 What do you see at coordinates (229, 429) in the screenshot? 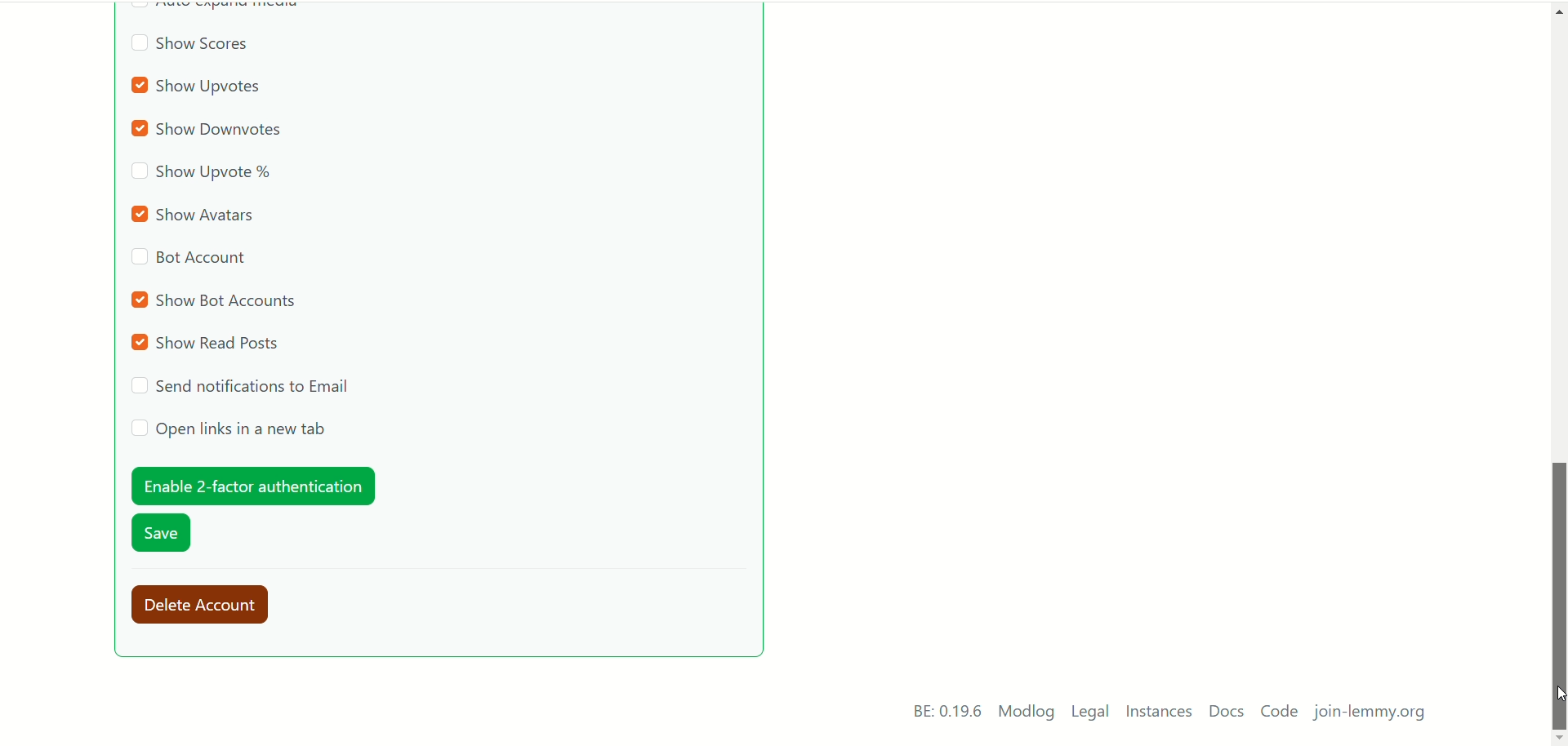
I see `open link in new tab` at bounding box center [229, 429].